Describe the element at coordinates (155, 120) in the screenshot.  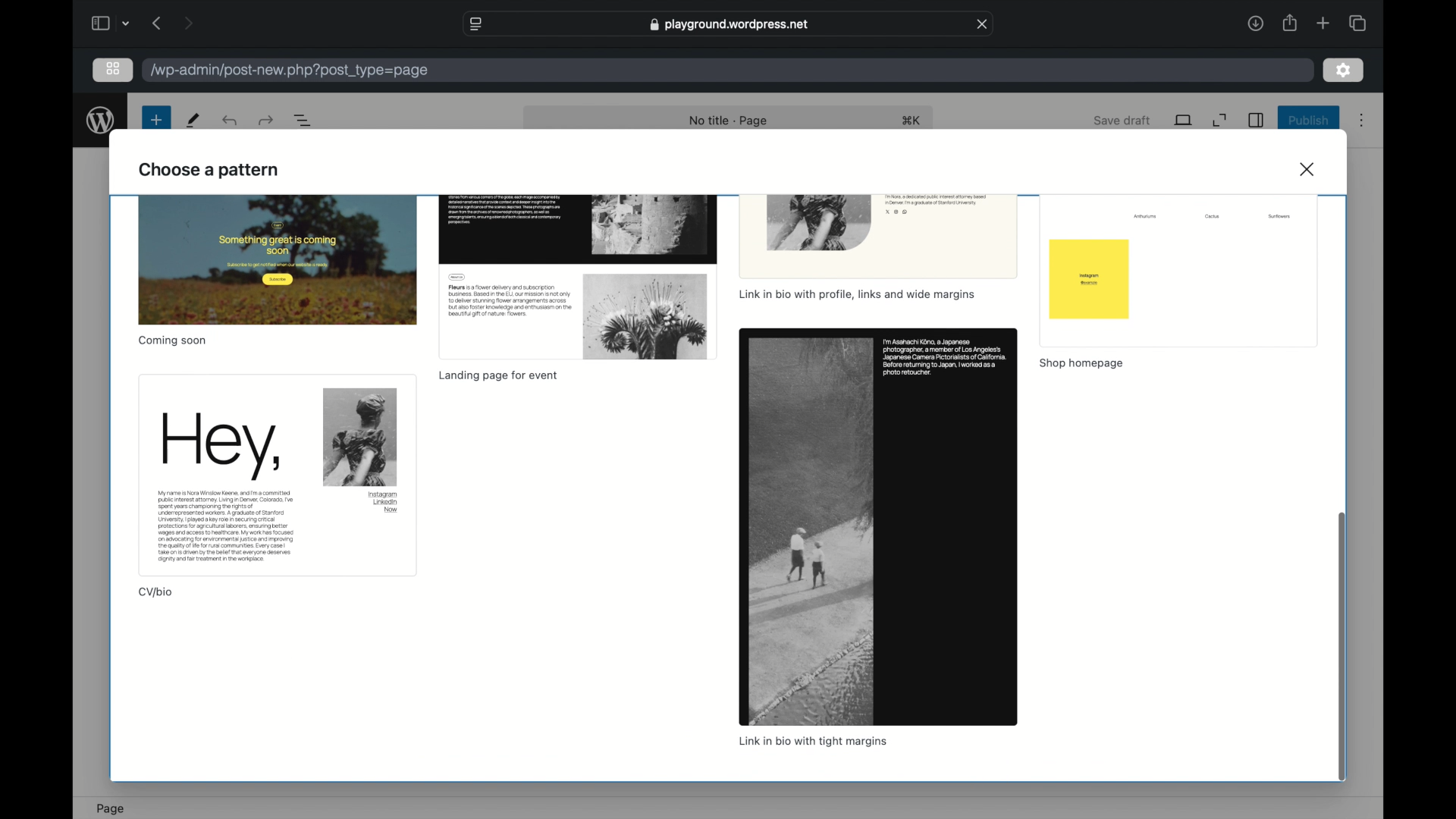
I see `new page` at that location.